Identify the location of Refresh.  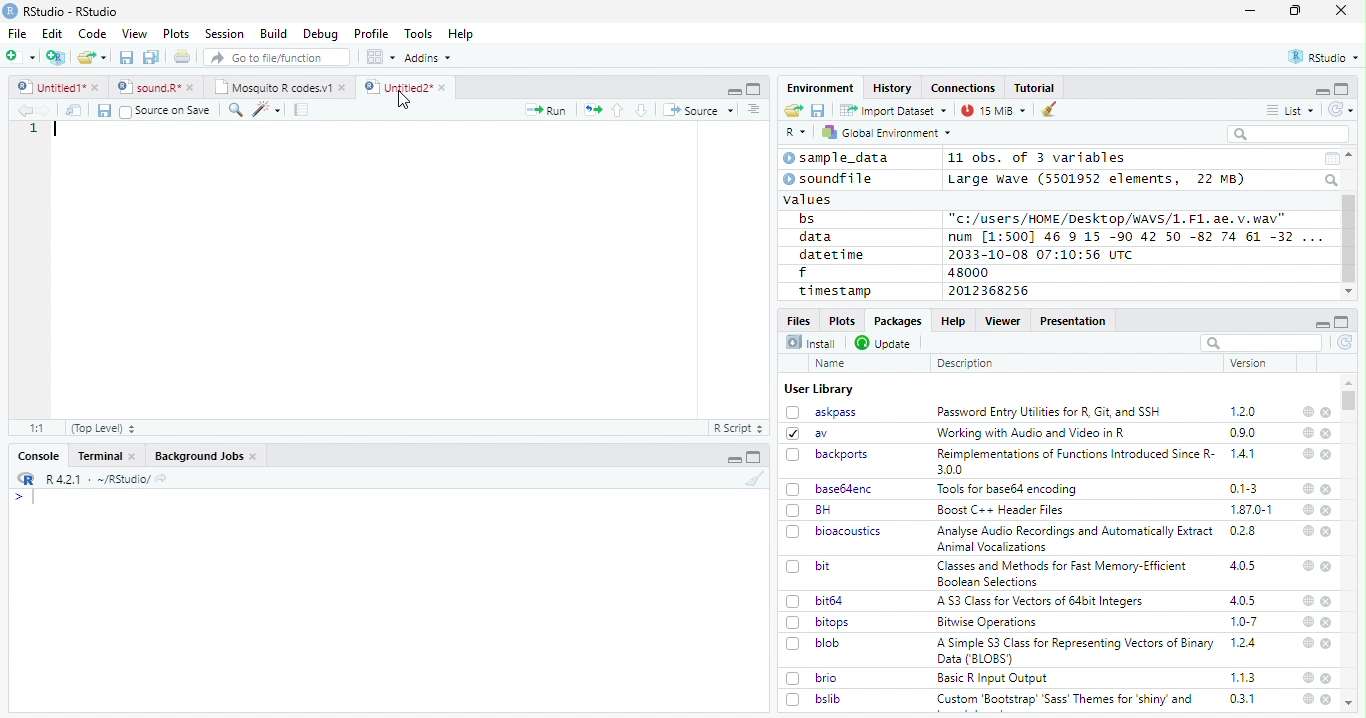
(1342, 109).